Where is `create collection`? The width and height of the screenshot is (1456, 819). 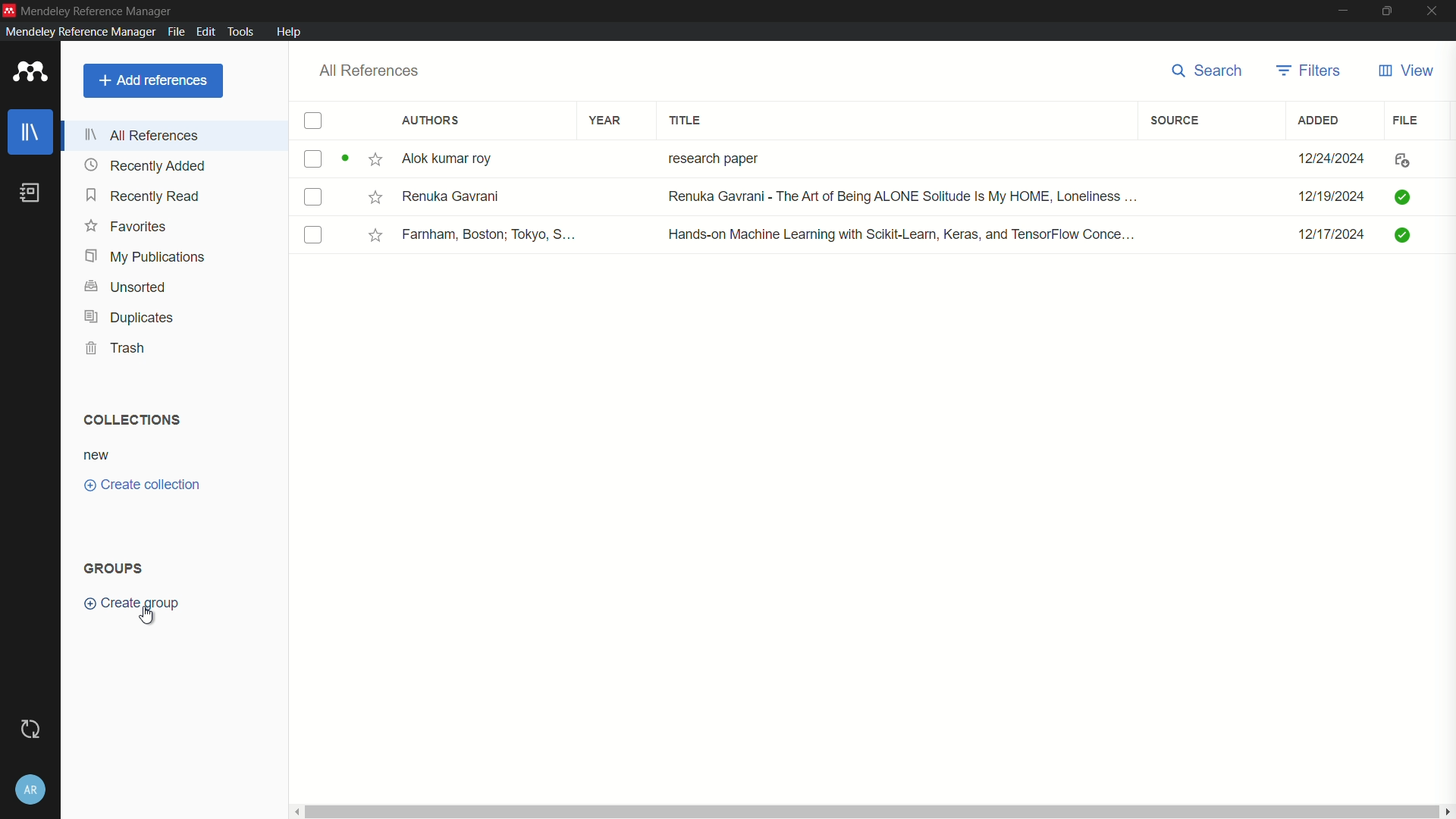
create collection is located at coordinates (143, 485).